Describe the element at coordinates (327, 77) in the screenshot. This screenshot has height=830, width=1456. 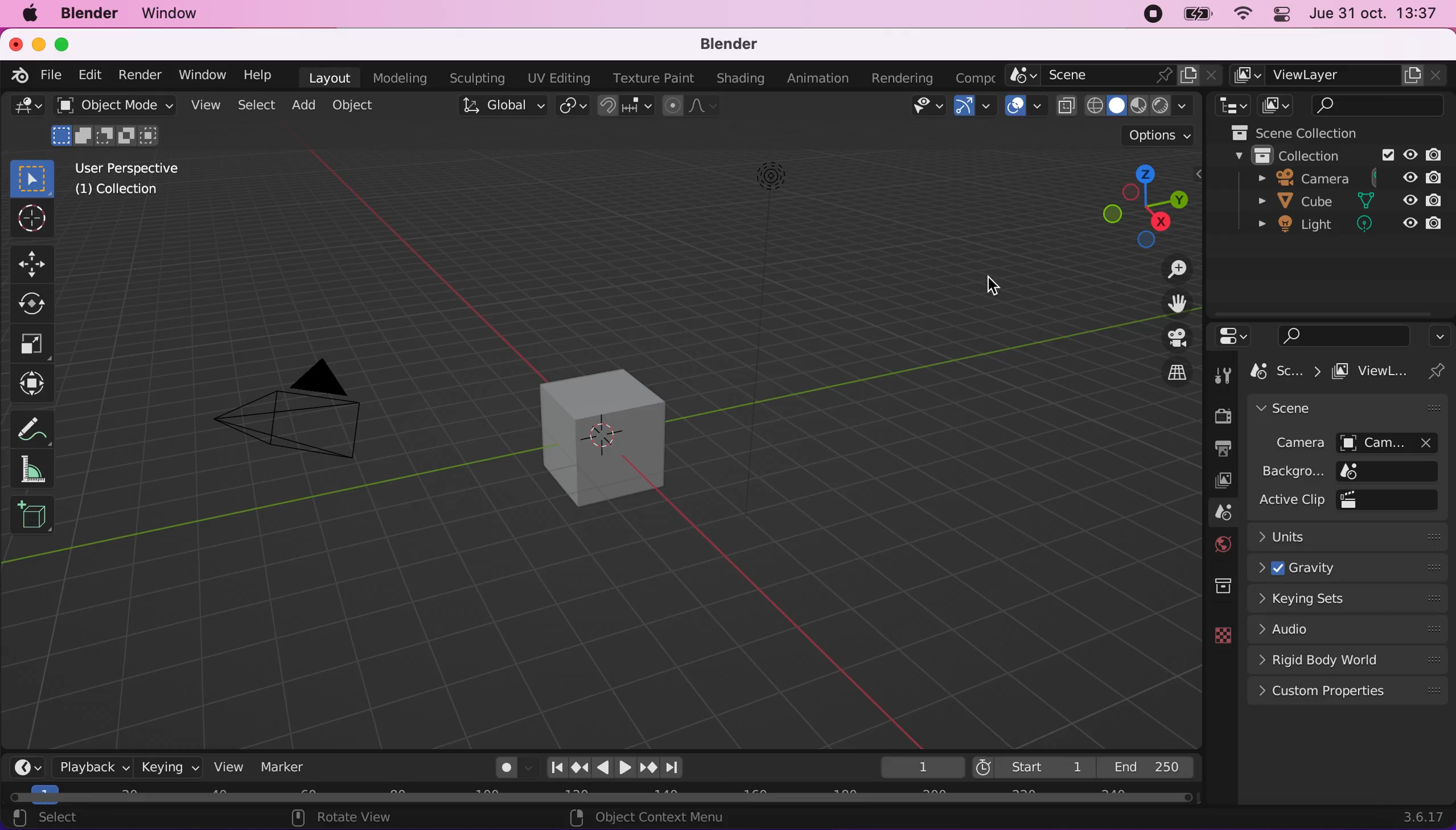
I see `layout` at that location.